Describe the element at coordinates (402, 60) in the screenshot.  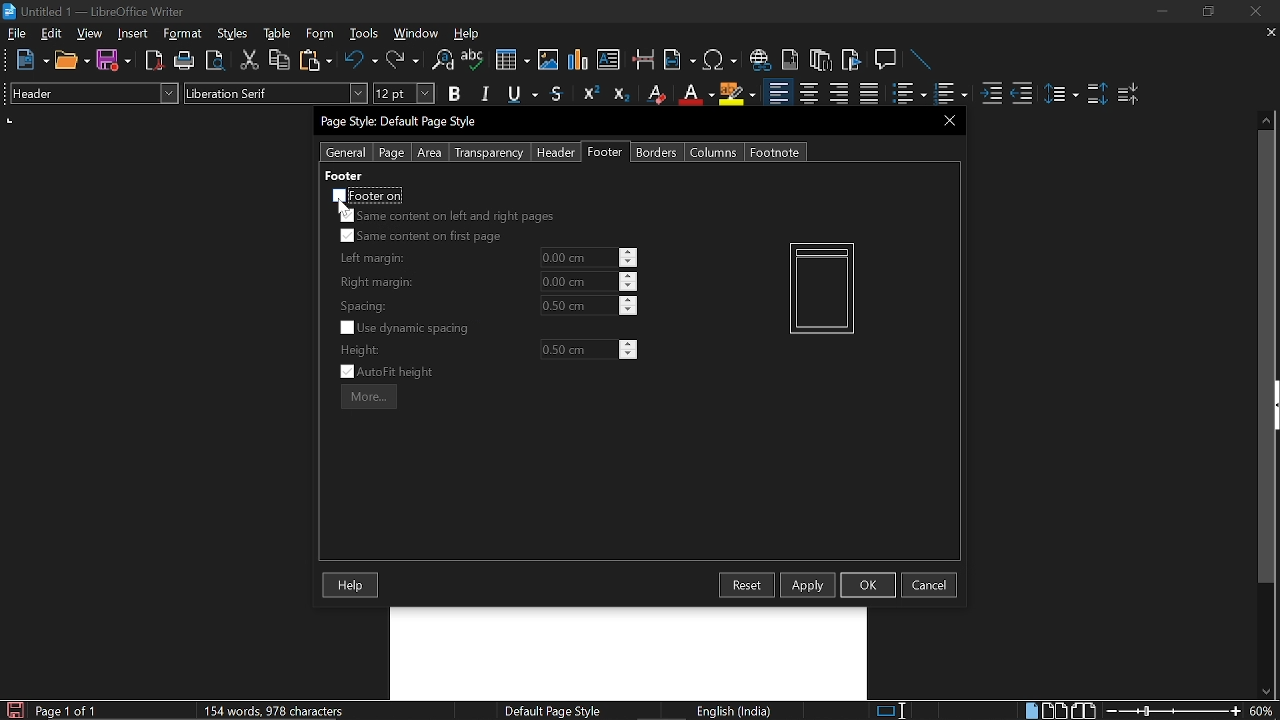
I see `Redo` at that location.